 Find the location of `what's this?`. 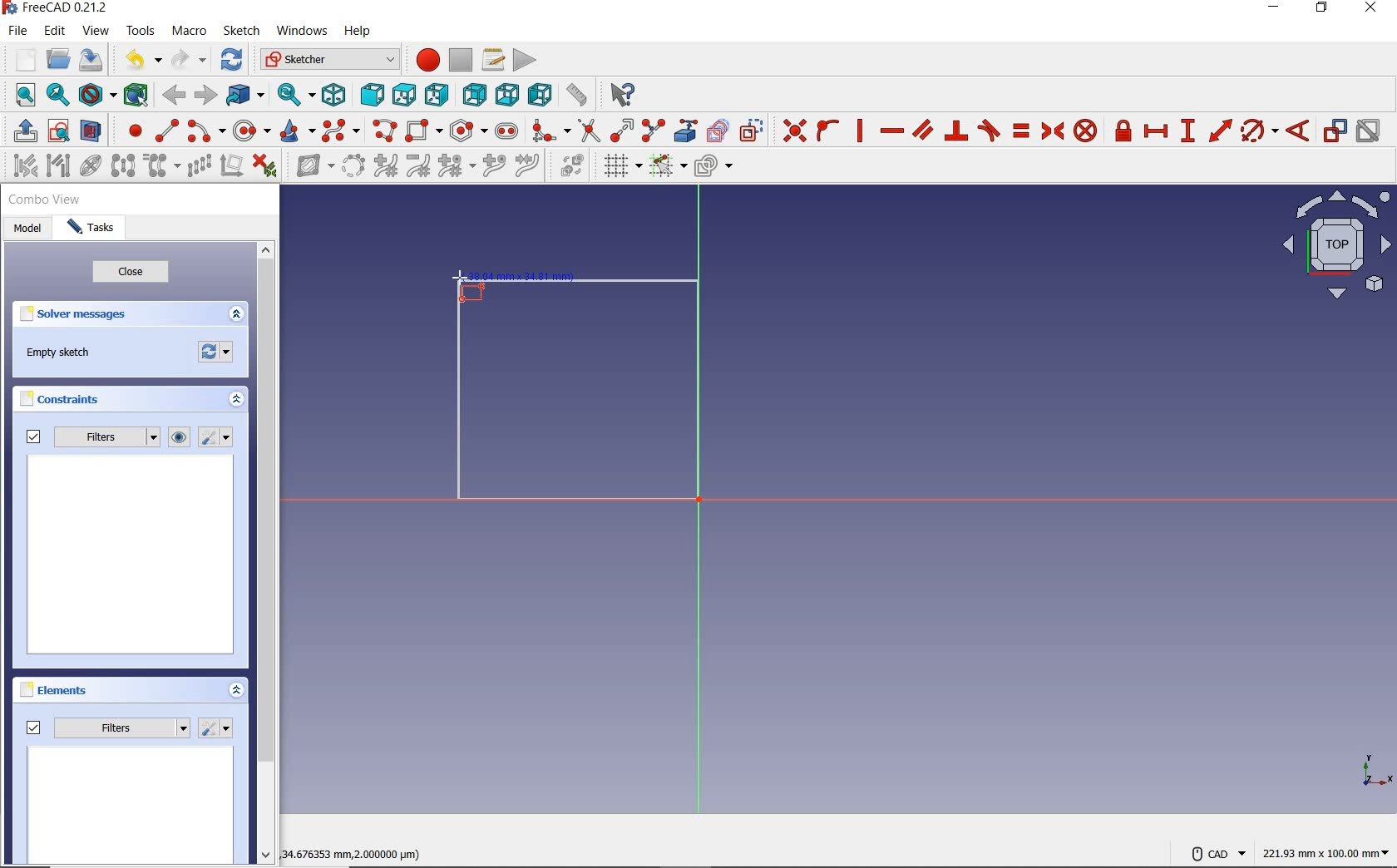

what's this? is located at coordinates (623, 96).